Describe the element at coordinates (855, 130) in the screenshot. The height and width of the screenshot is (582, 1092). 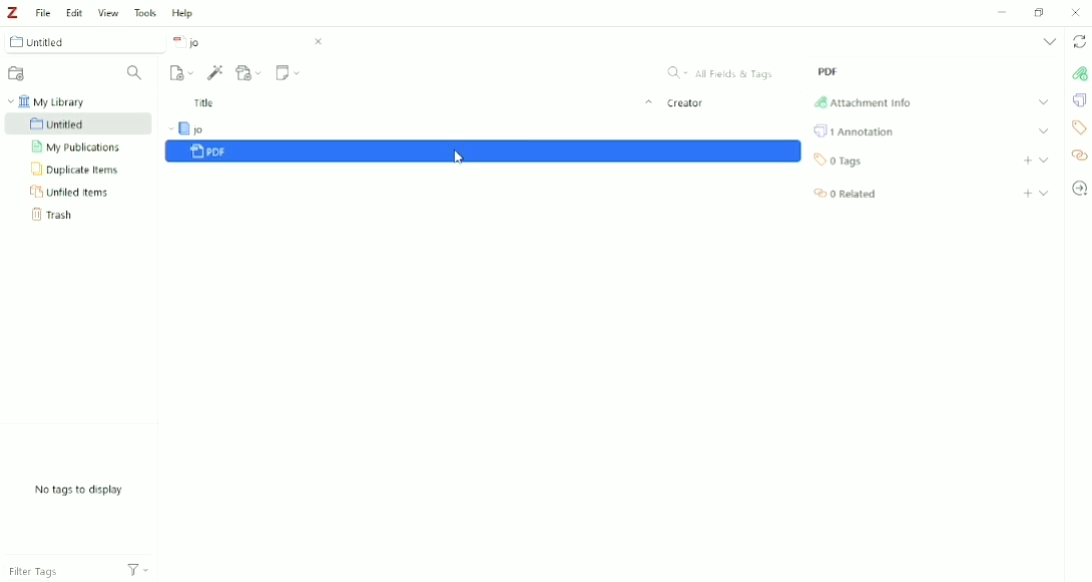
I see `Annotation` at that location.